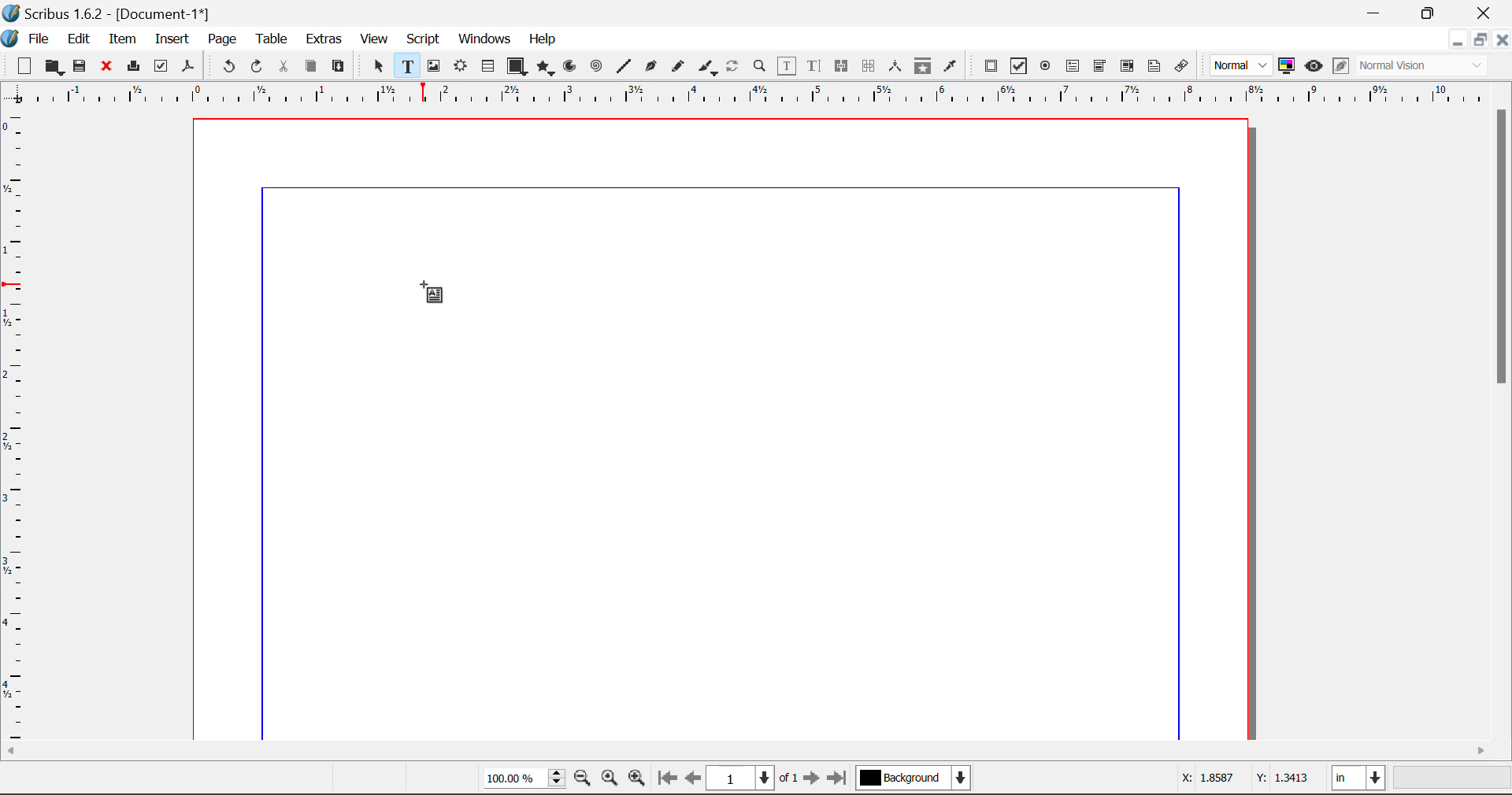 The height and width of the screenshot is (795, 1512). I want to click on Pdf Checkbox, so click(1019, 66).